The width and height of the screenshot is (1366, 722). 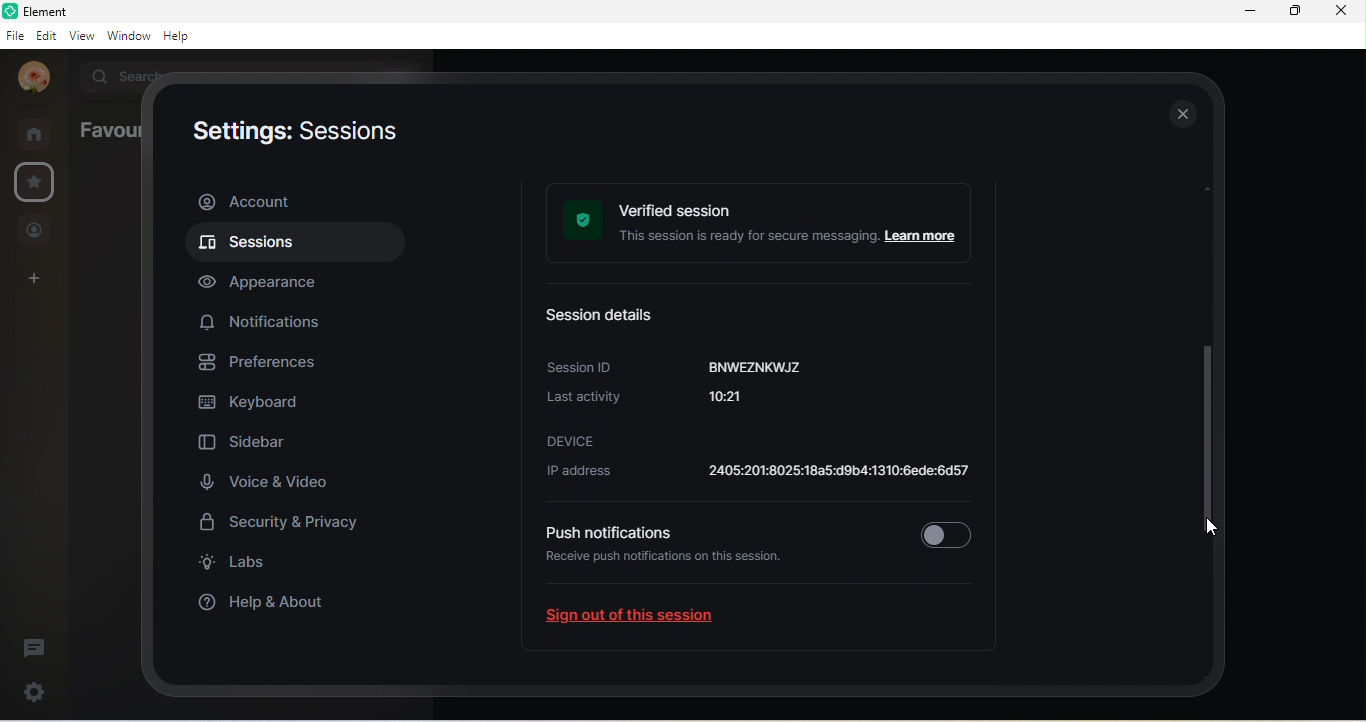 I want to click on session details, so click(x=610, y=317).